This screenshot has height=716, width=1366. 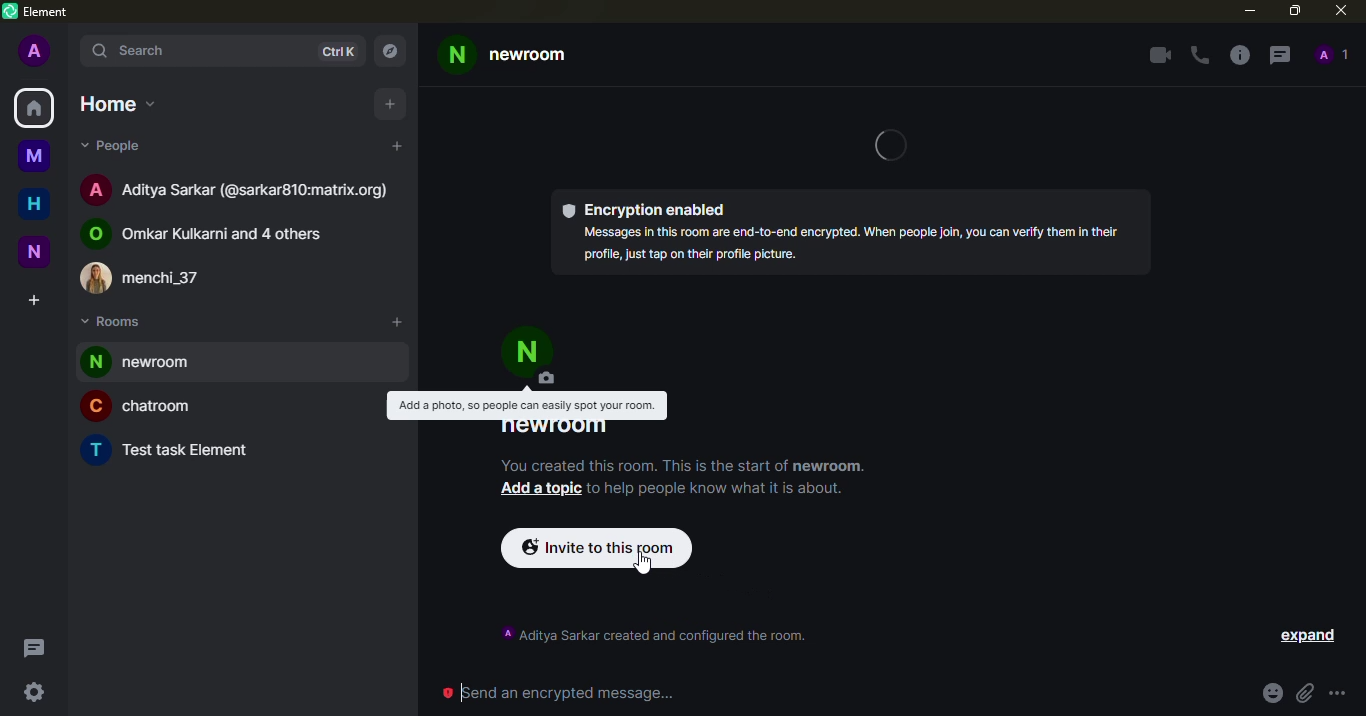 What do you see at coordinates (644, 566) in the screenshot?
I see `cursor` at bounding box center [644, 566].